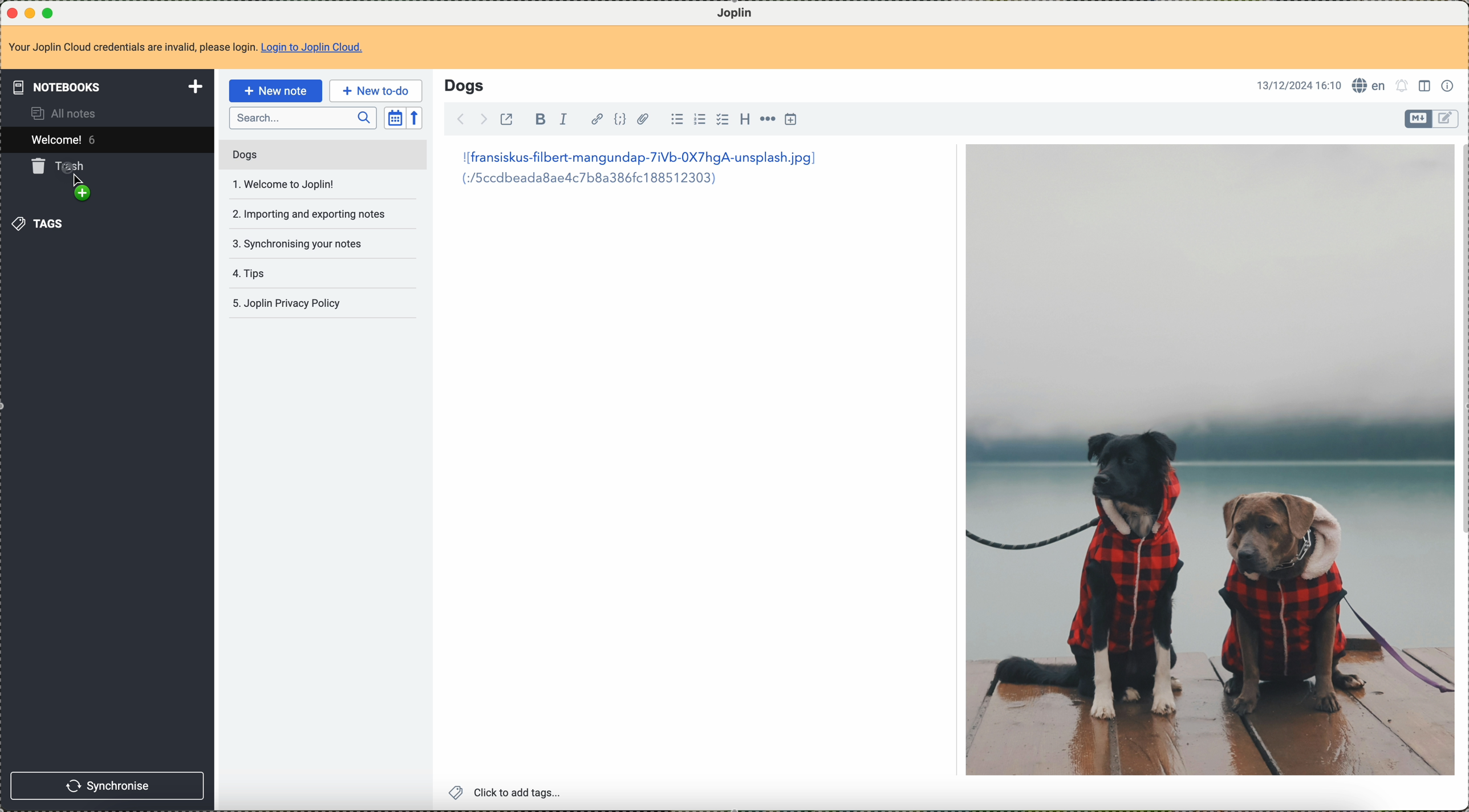 This screenshot has height=812, width=1469. What do you see at coordinates (768, 120) in the screenshot?
I see `horizontal rule` at bounding box center [768, 120].